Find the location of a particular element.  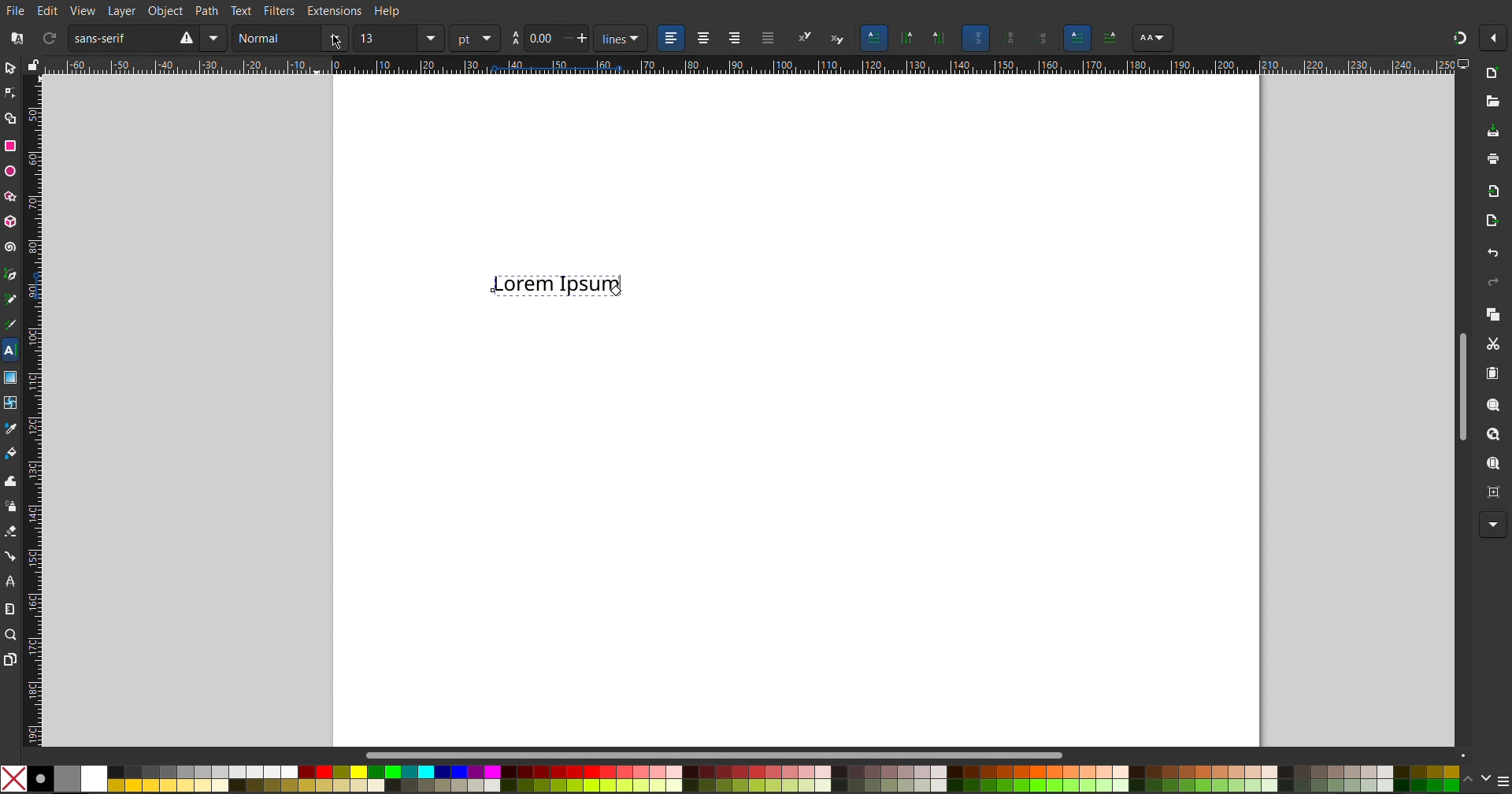

Spacing baselines is located at coordinates (550, 39).